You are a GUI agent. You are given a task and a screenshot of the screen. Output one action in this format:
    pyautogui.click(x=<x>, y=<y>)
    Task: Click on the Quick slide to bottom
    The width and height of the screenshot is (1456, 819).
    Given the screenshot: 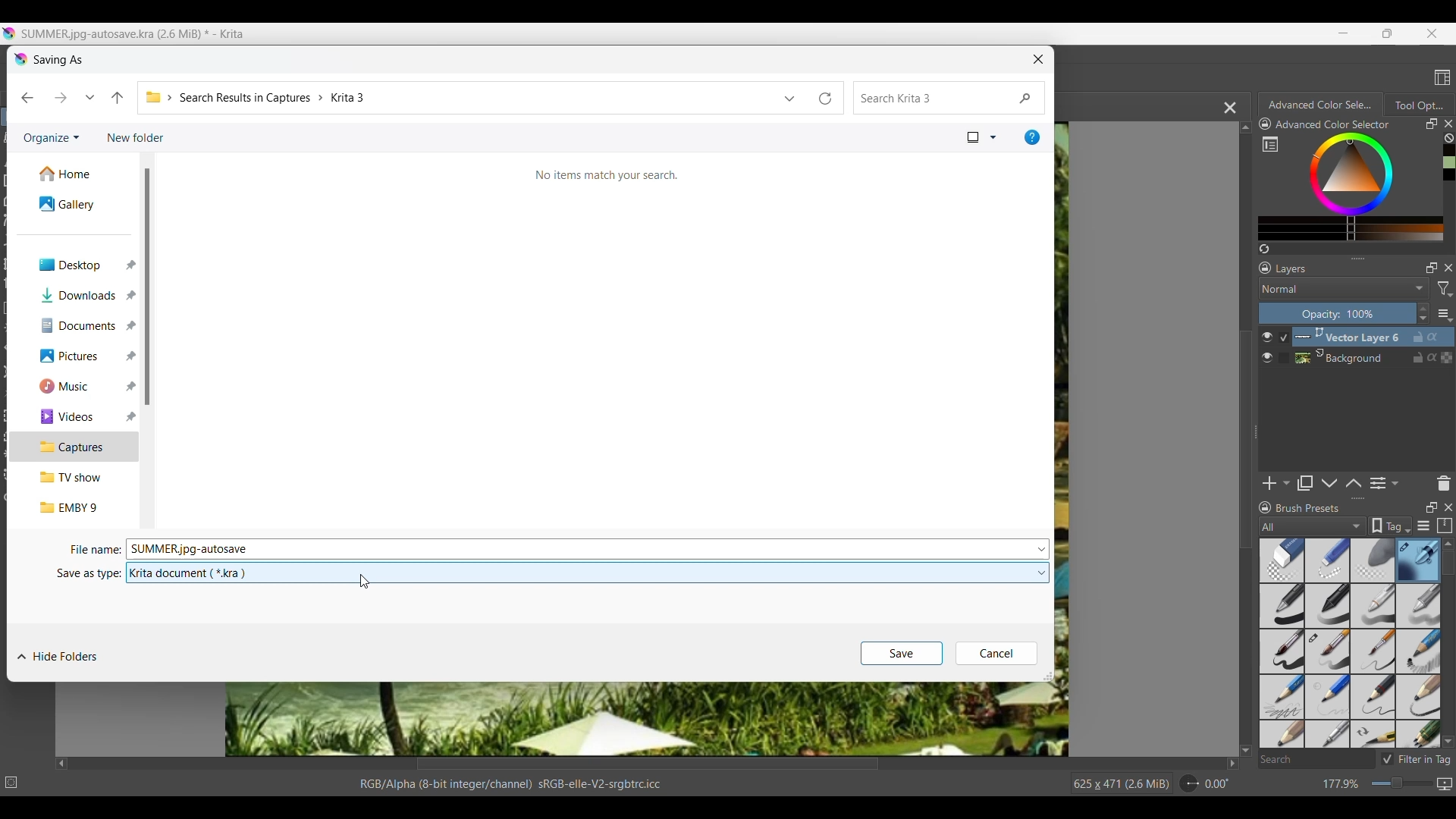 What is the action you would take?
    pyautogui.click(x=1448, y=742)
    